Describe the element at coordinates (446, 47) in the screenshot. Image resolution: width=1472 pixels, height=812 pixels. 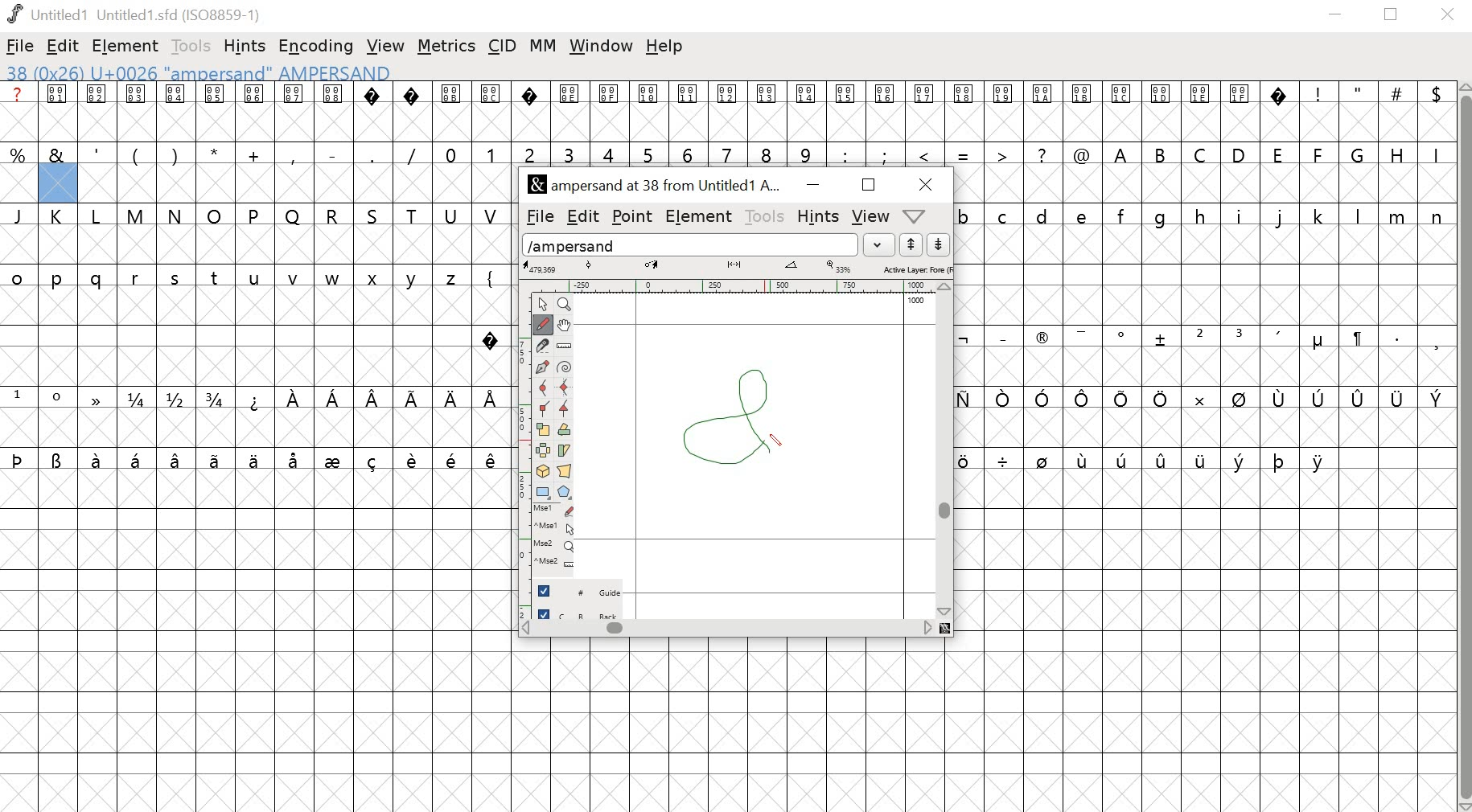
I see `metrics` at that location.